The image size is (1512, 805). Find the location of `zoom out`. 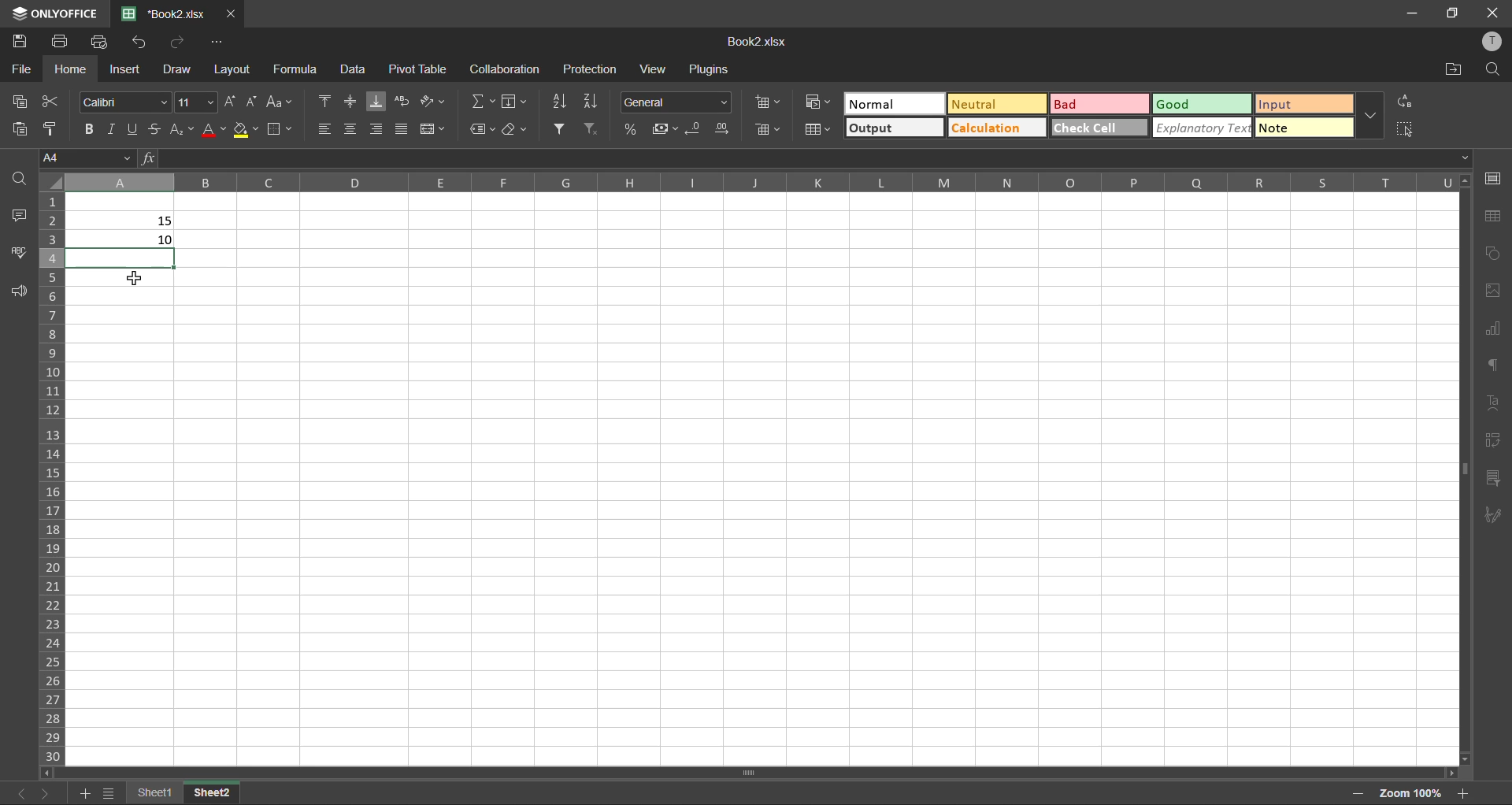

zoom out is located at coordinates (1358, 792).